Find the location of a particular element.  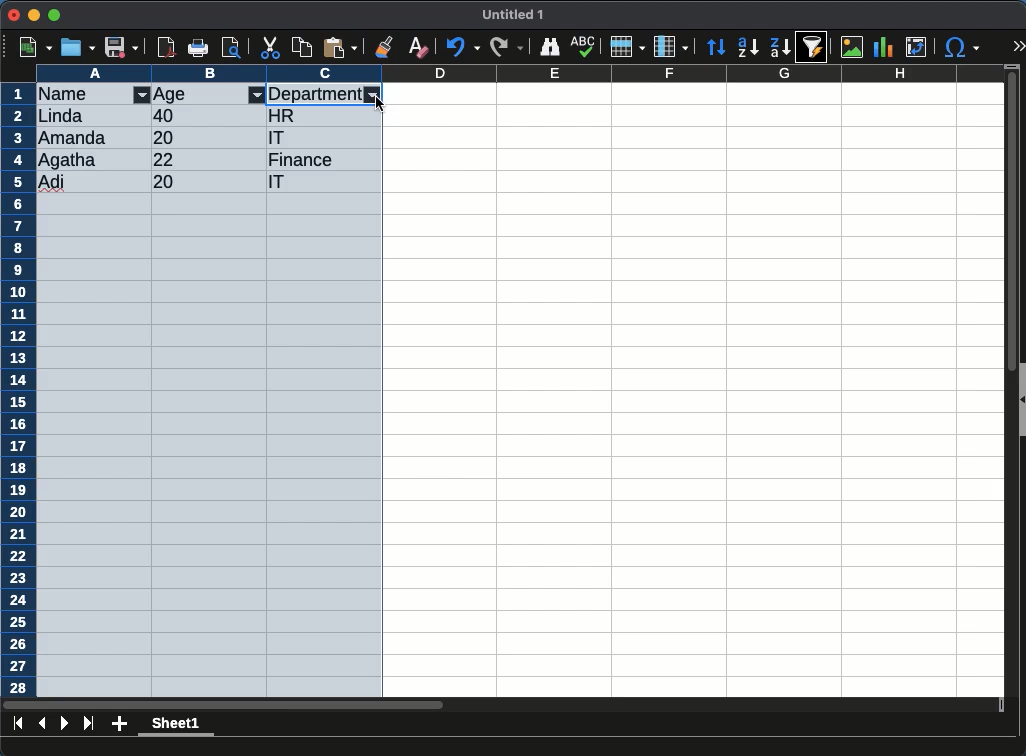

pivot table is located at coordinates (916, 48).